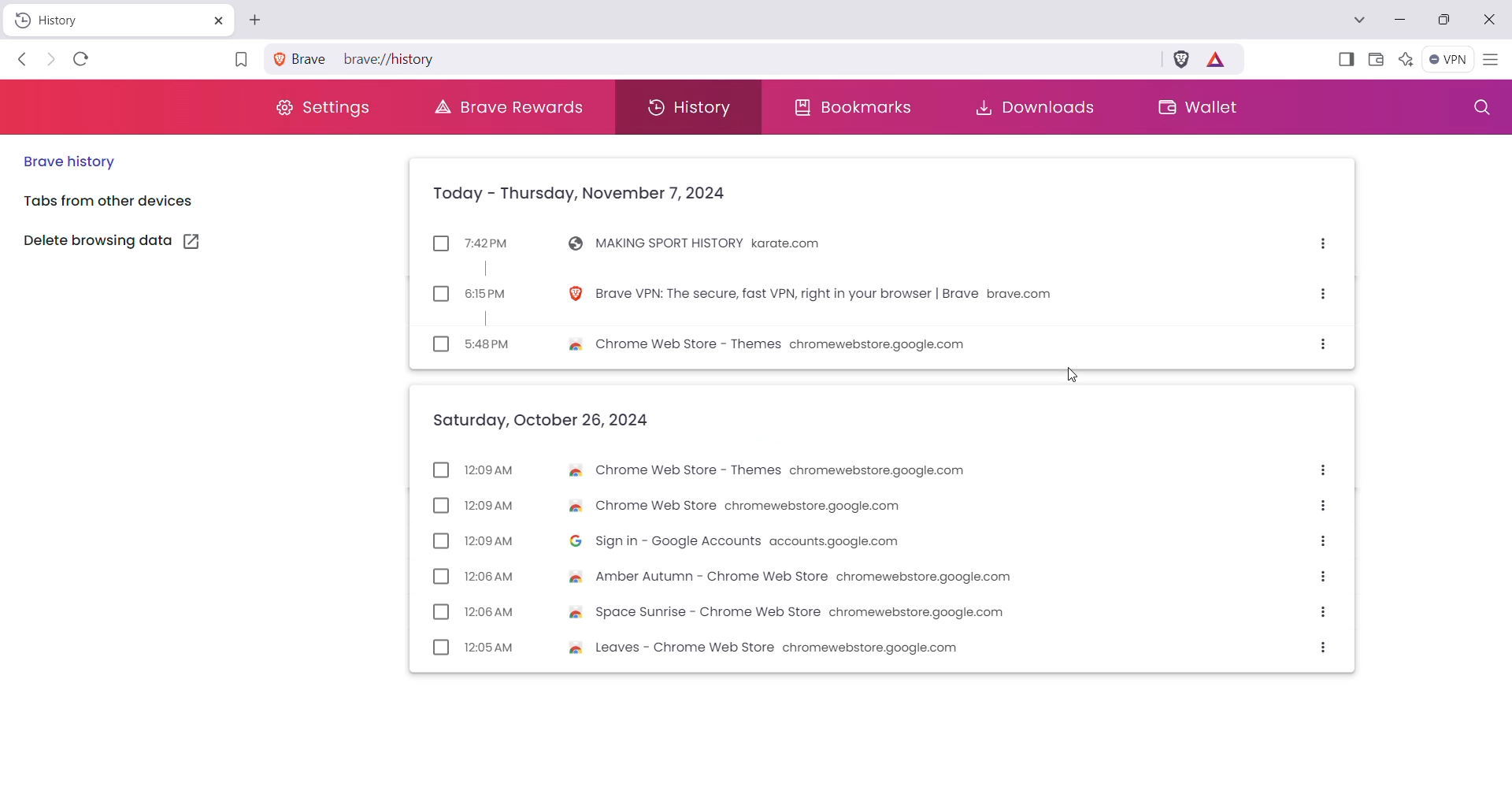 The width and height of the screenshot is (1512, 802). What do you see at coordinates (126, 241) in the screenshot?
I see `Delete browsing data` at bounding box center [126, 241].